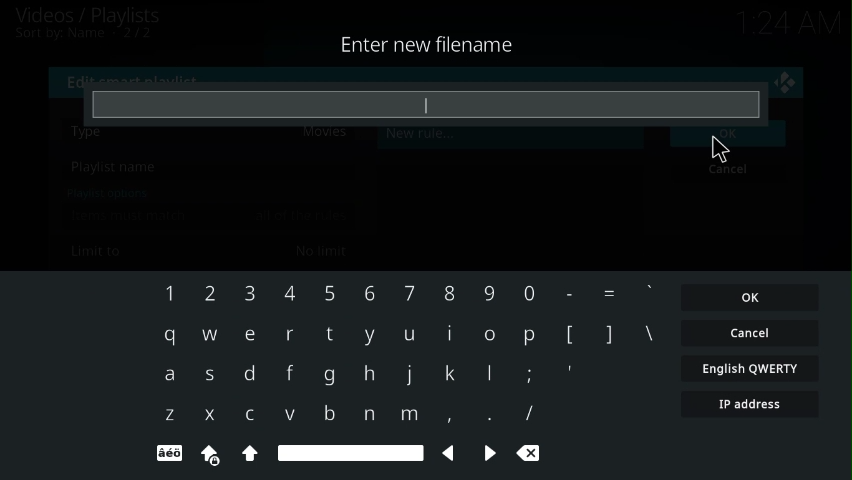 The height and width of the screenshot is (480, 852). I want to click on ,, so click(447, 415).